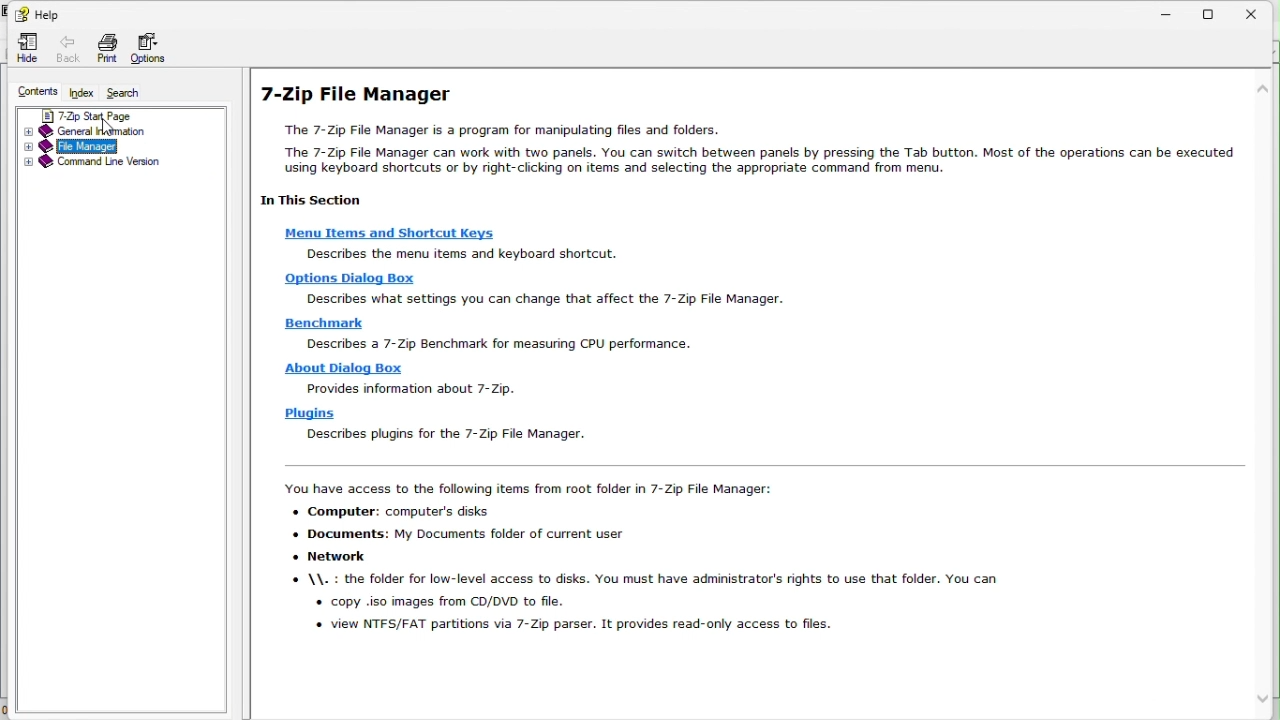 This screenshot has width=1280, height=720. What do you see at coordinates (343, 370) in the screenshot?
I see `about dialog box` at bounding box center [343, 370].